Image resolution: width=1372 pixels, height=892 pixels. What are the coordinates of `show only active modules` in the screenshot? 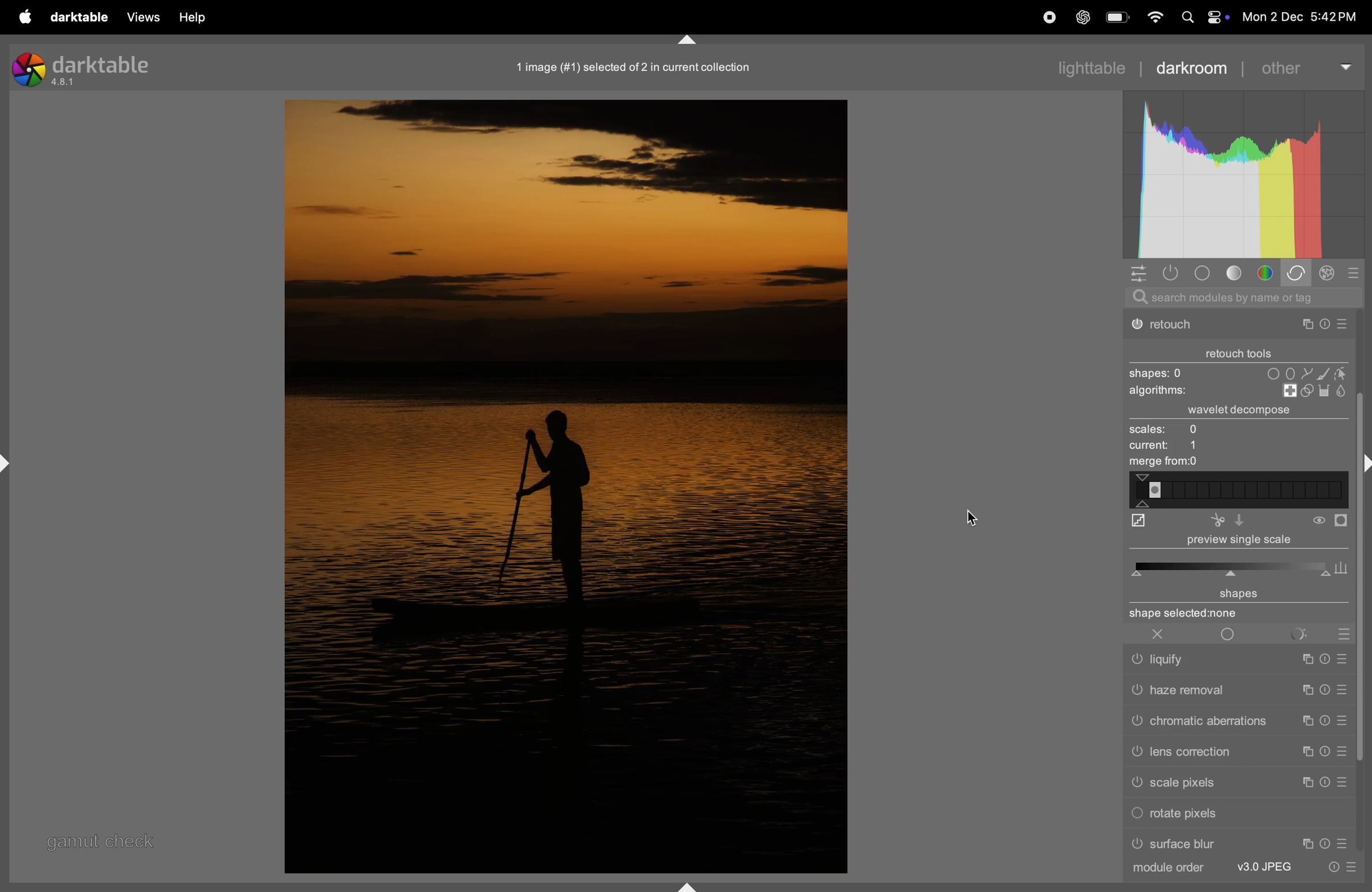 It's located at (1175, 273).